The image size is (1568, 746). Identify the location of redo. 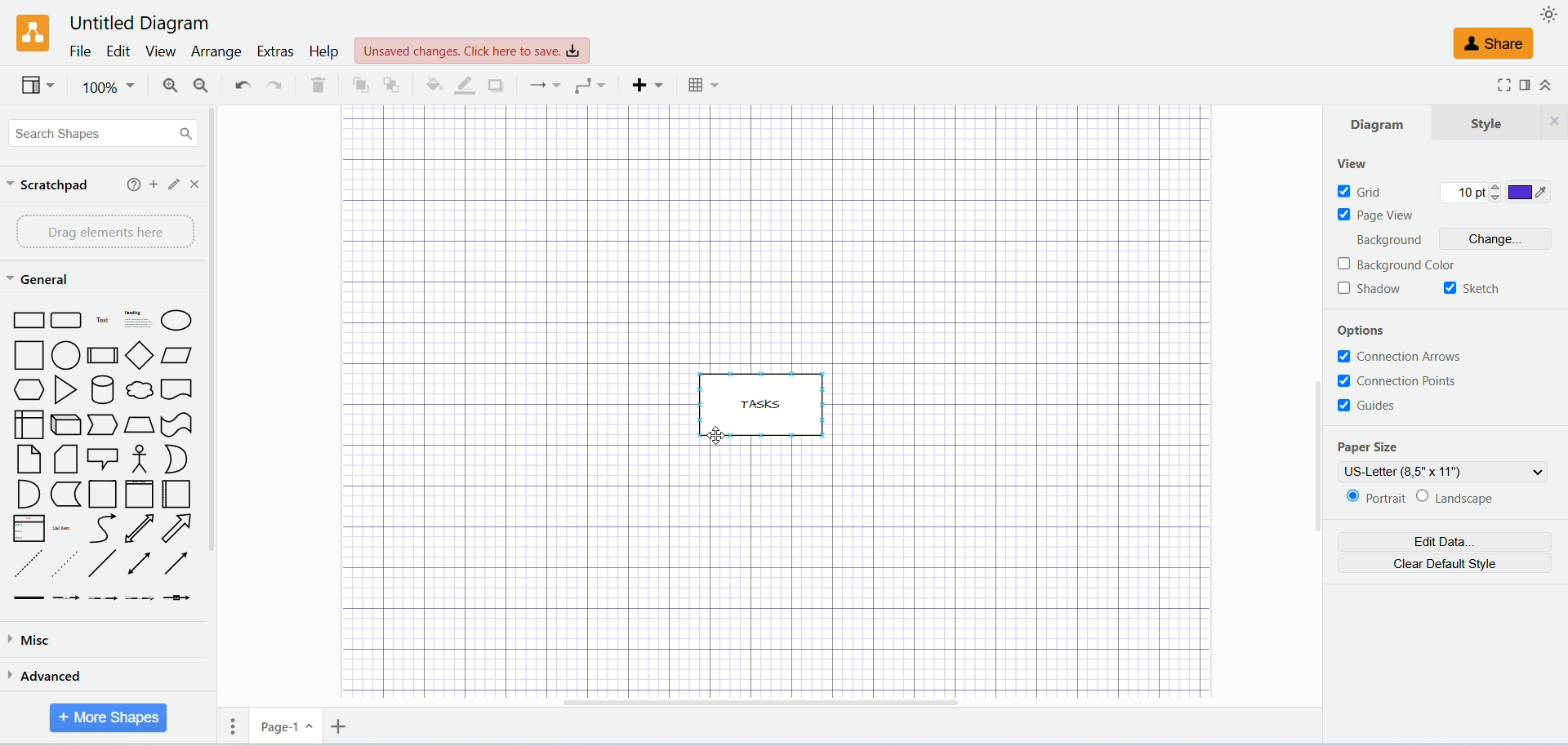
(275, 85).